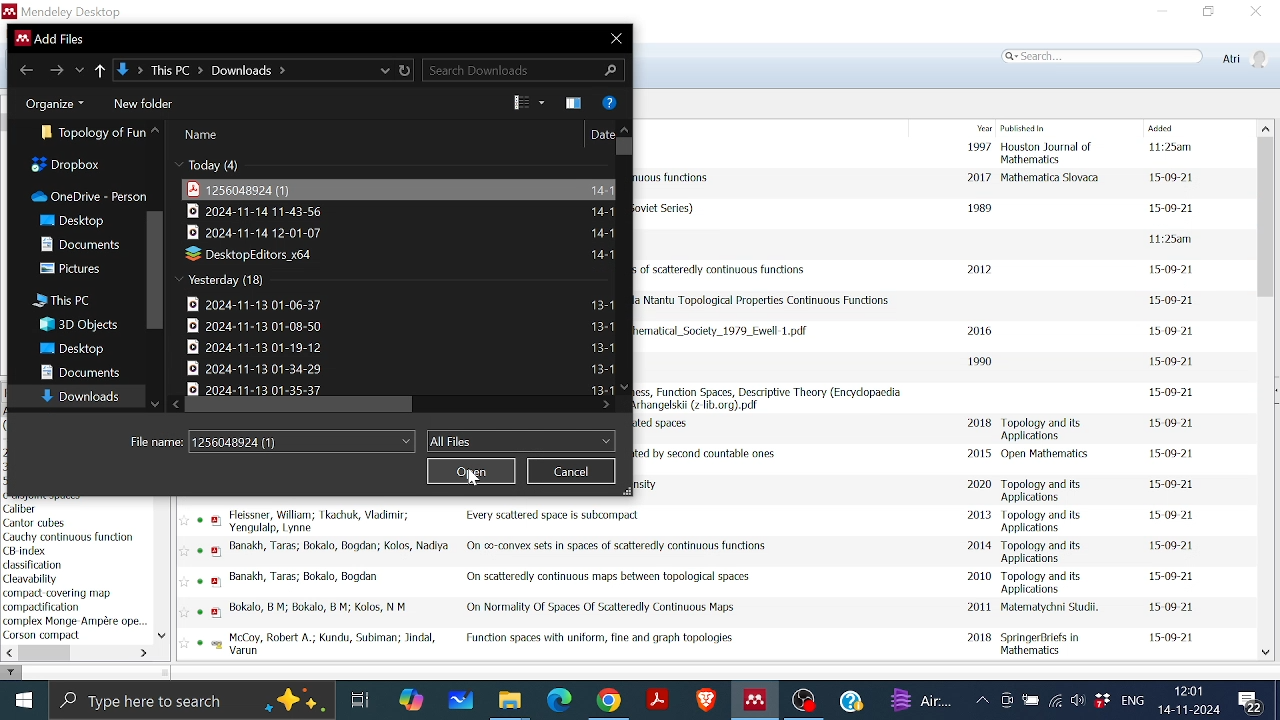 Image resolution: width=1280 pixels, height=720 pixels. Describe the element at coordinates (35, 580) in the screenshot. I see `keyword` at that location.